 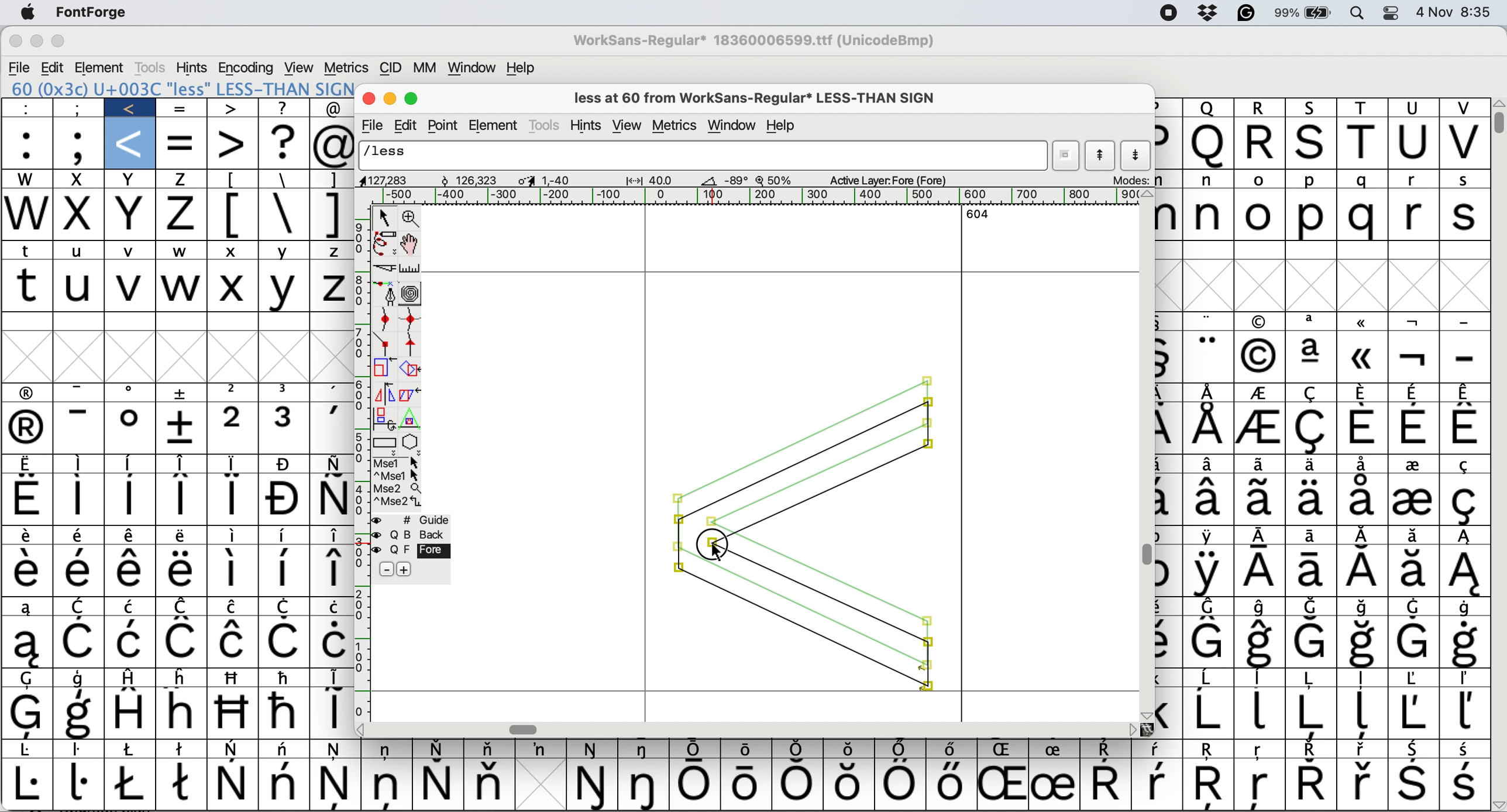 I want to click on Symbol, so click(x=82, y=465).